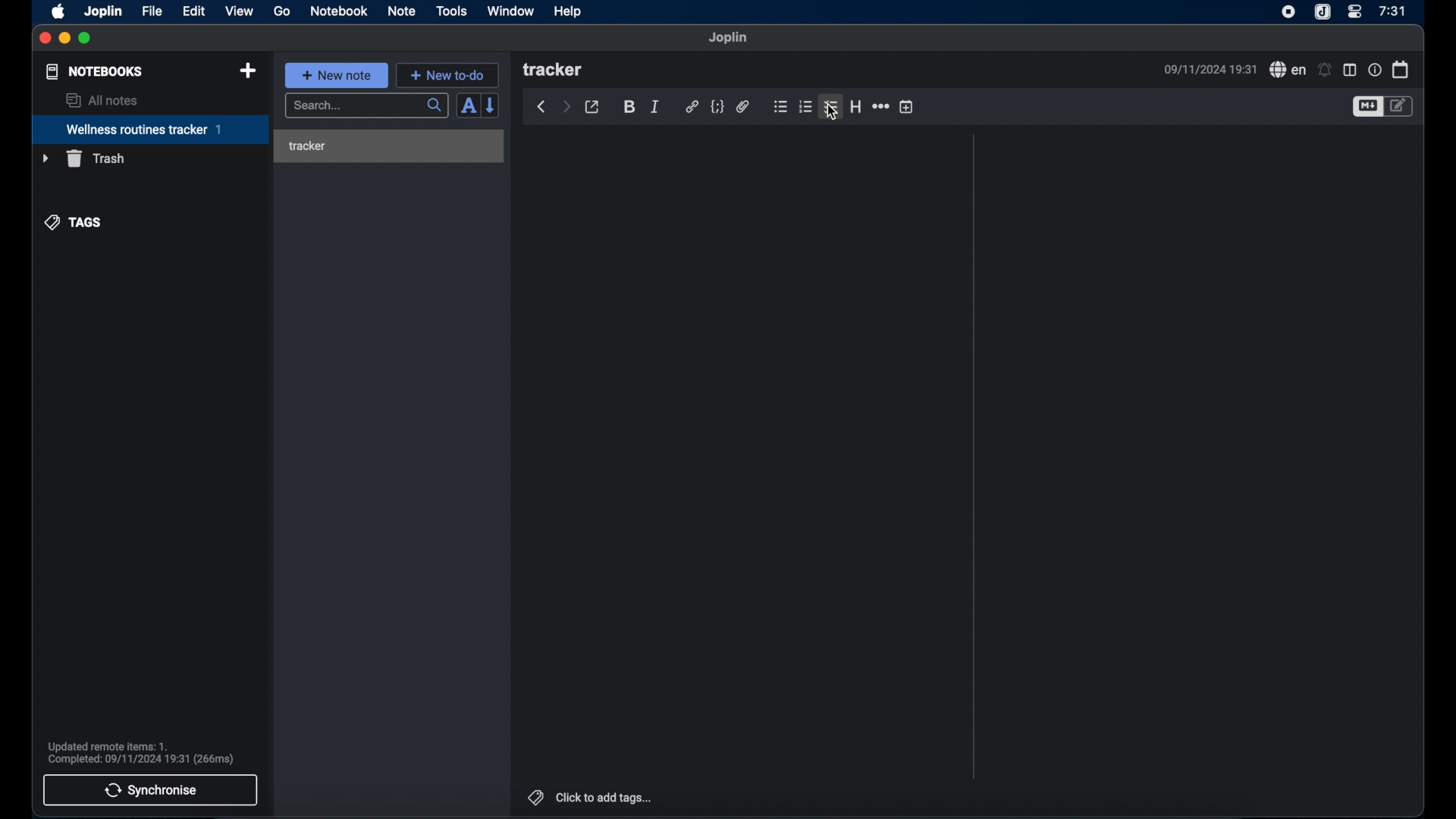 The image size is (1456, 819). Describe the element at coordinates (239, 11) in the screenshot. I see `view` at that location.